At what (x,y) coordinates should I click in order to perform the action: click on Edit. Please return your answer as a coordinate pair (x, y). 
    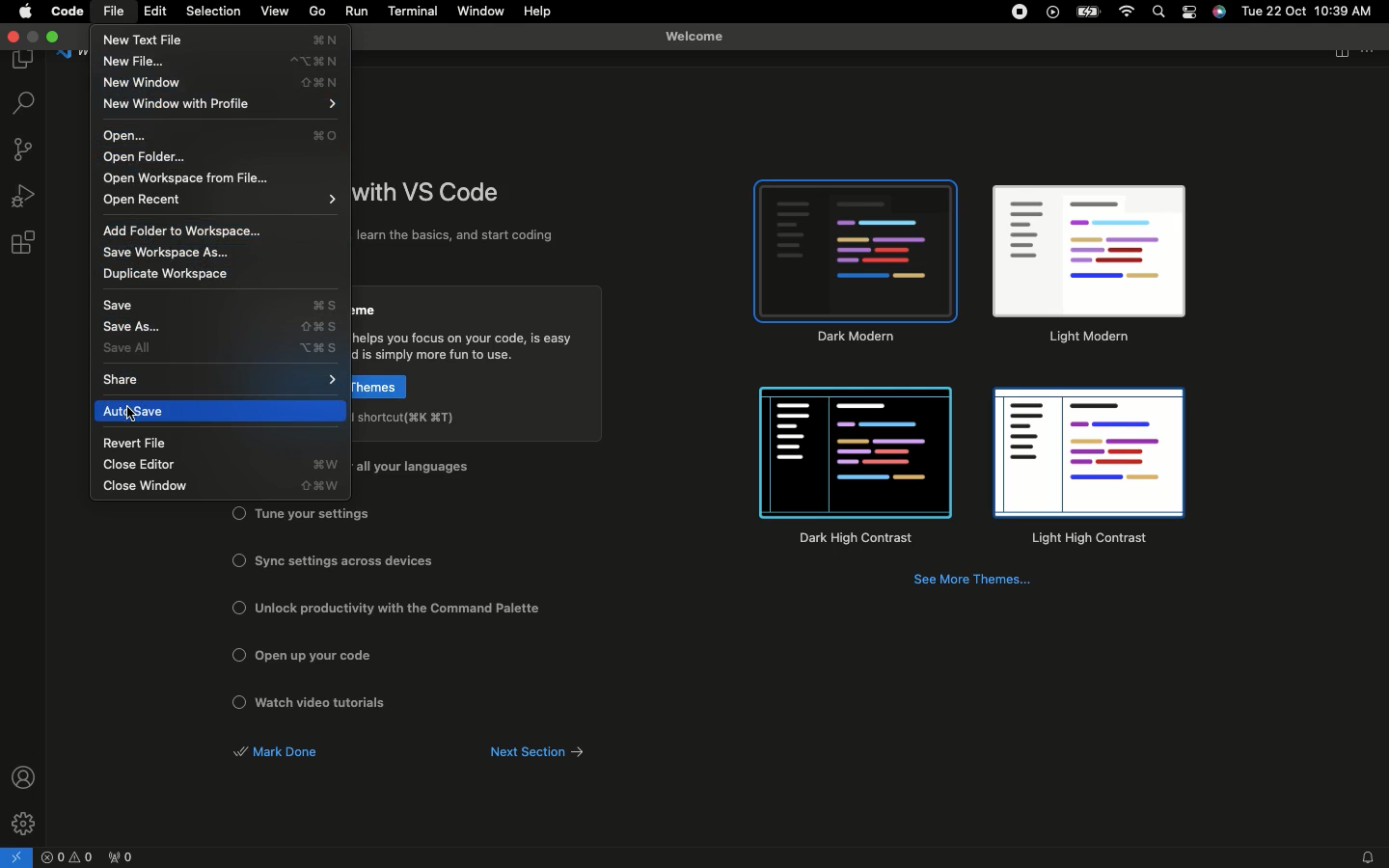
    Looking at the image, I should click on (155, 12).